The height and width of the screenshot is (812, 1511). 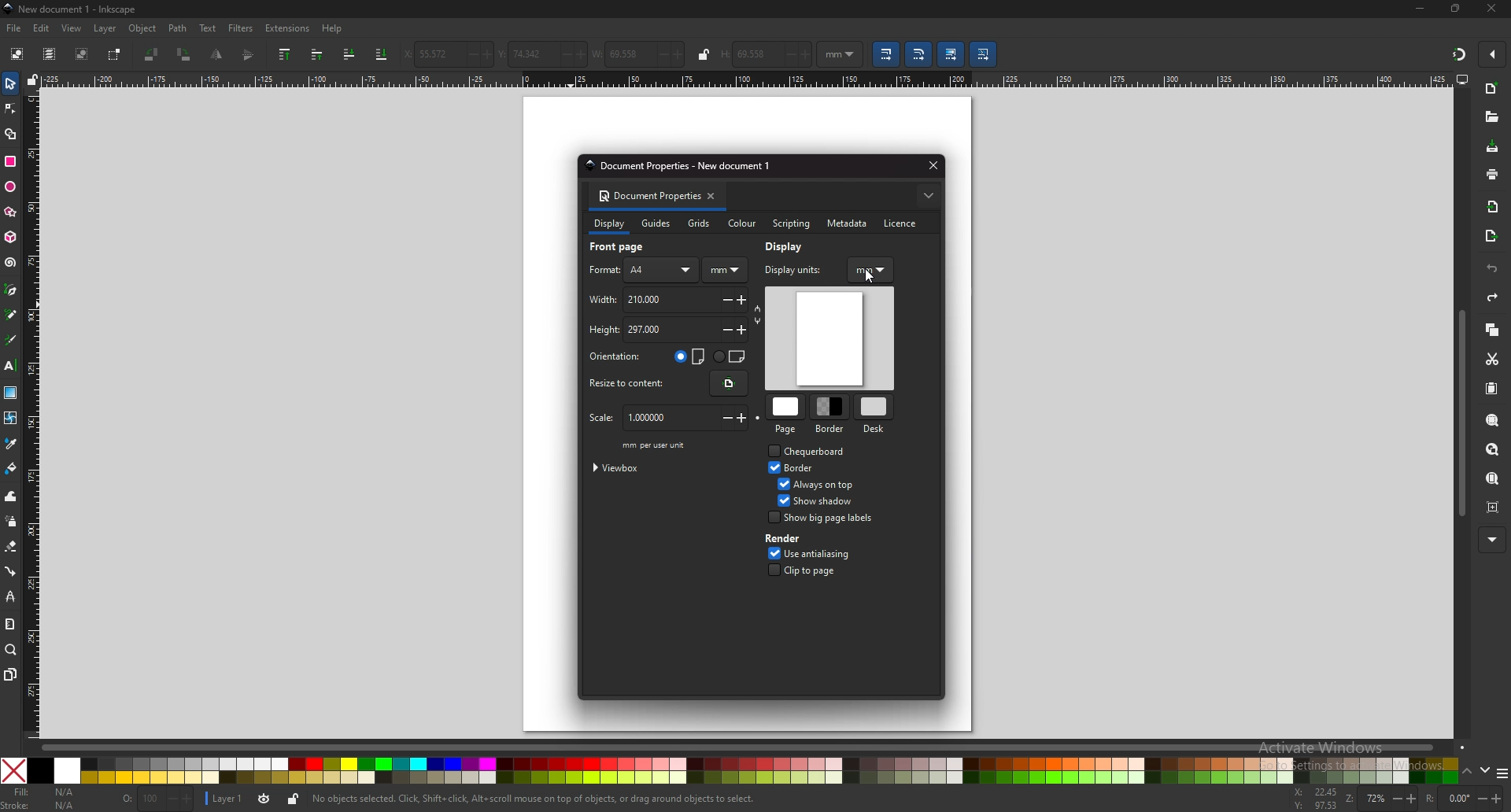 What do you see at coordinates (928, 196) in the screenshot?
I see `more` at bounding box center [928, 196].